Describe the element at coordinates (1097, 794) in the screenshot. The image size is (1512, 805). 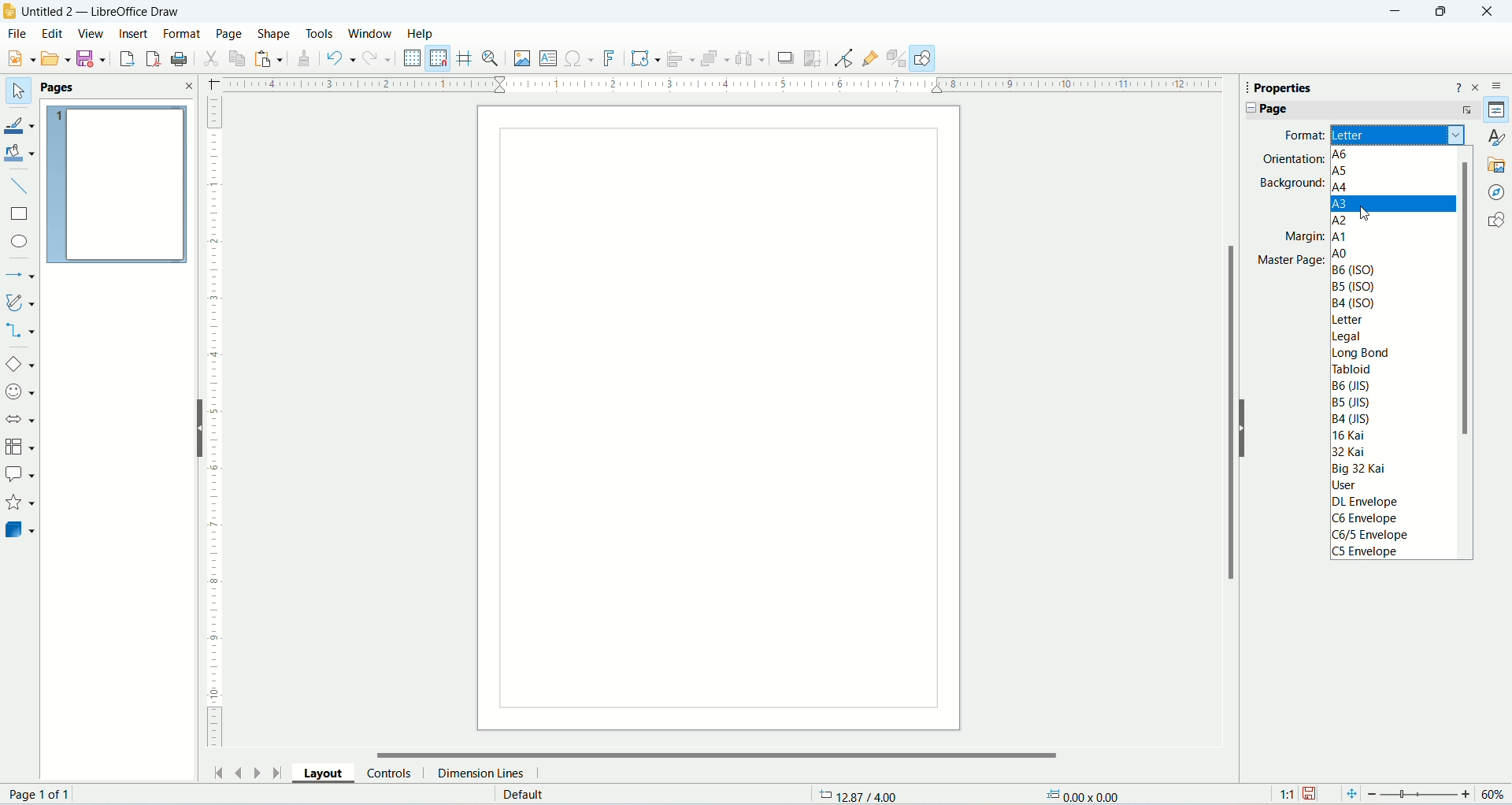
I see `dimensions` at that location.